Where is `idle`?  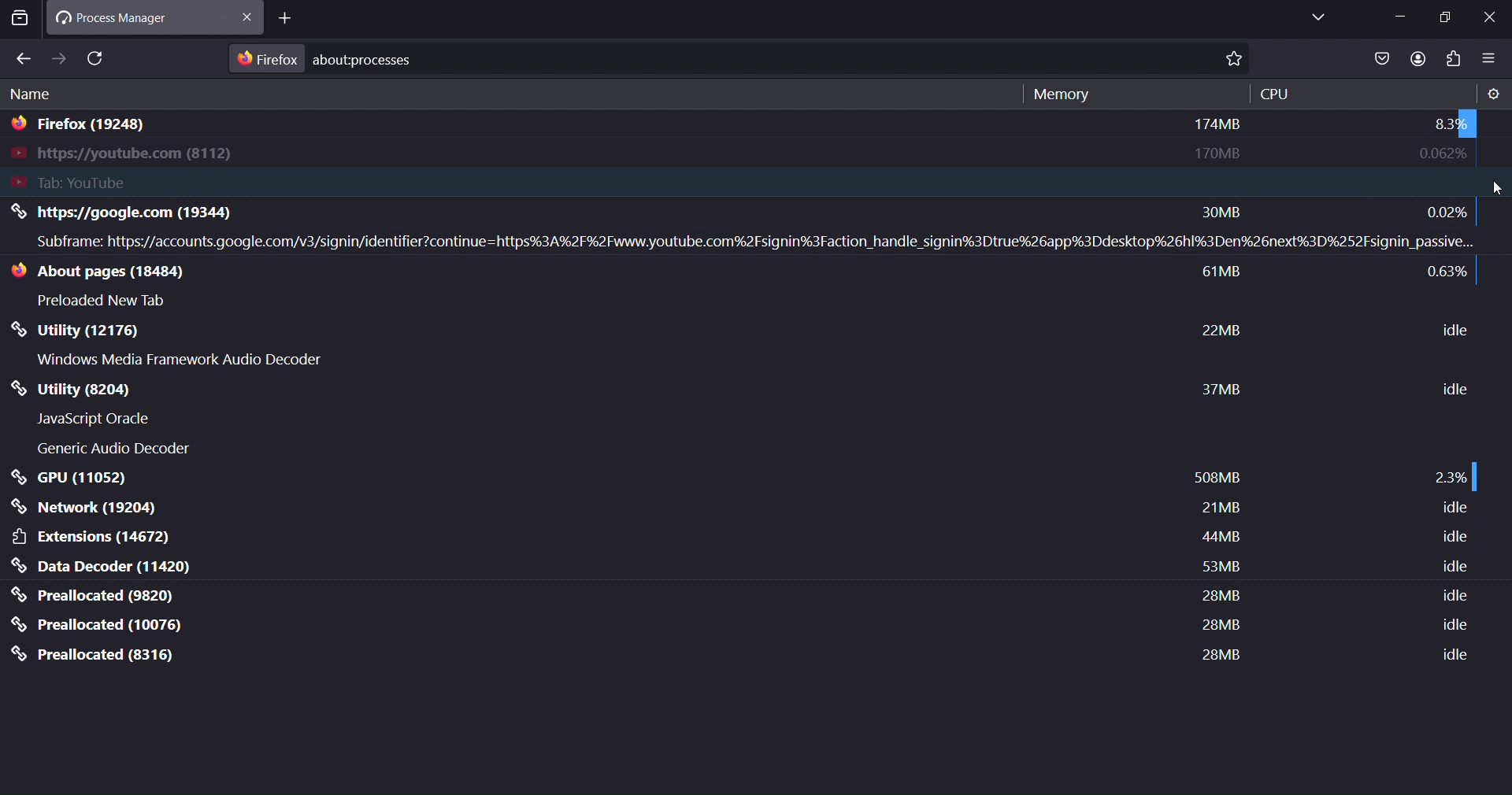
idle is located at coordinates (1447, 327).